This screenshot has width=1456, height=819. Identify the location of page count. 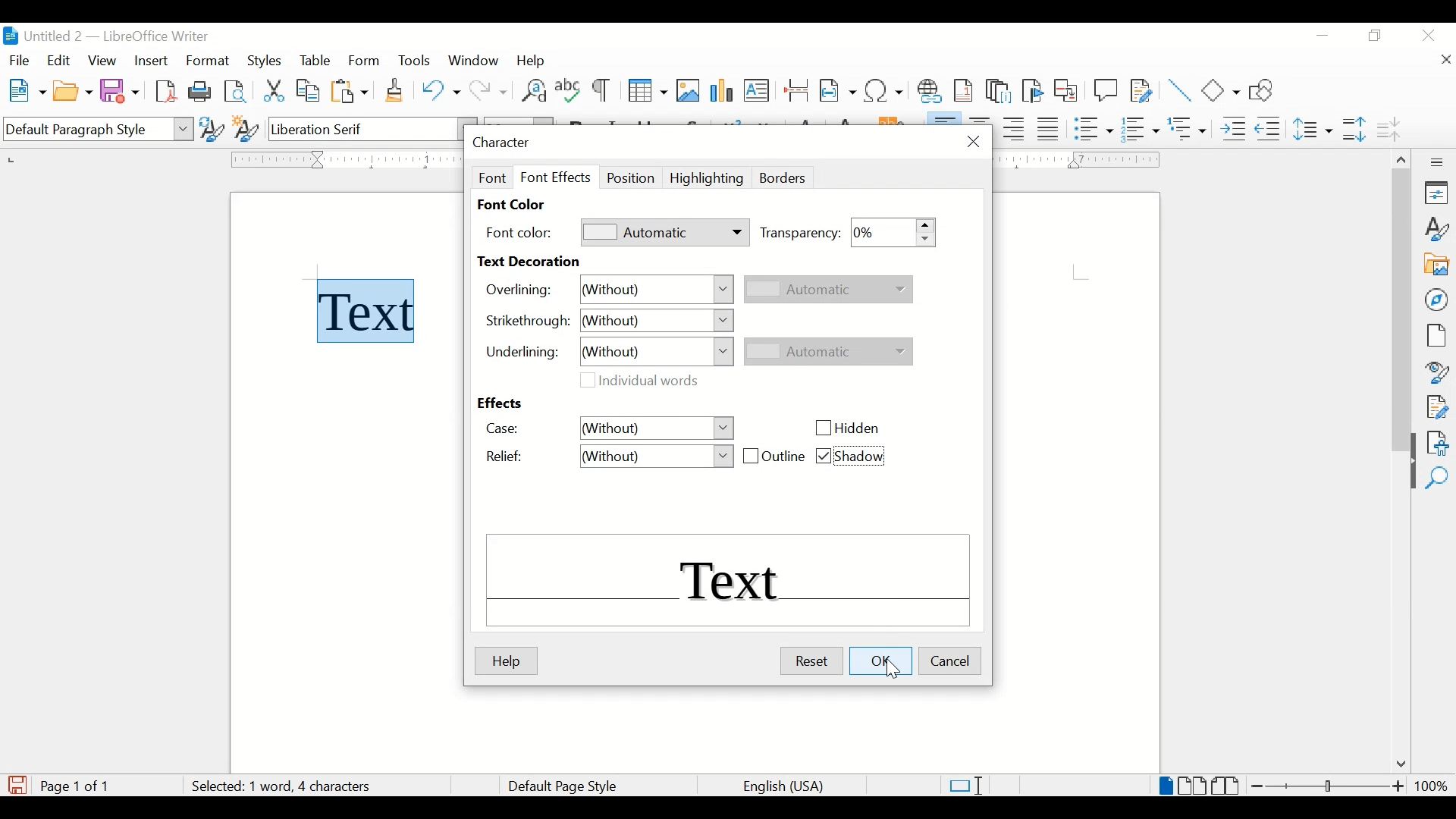
(79, 786).